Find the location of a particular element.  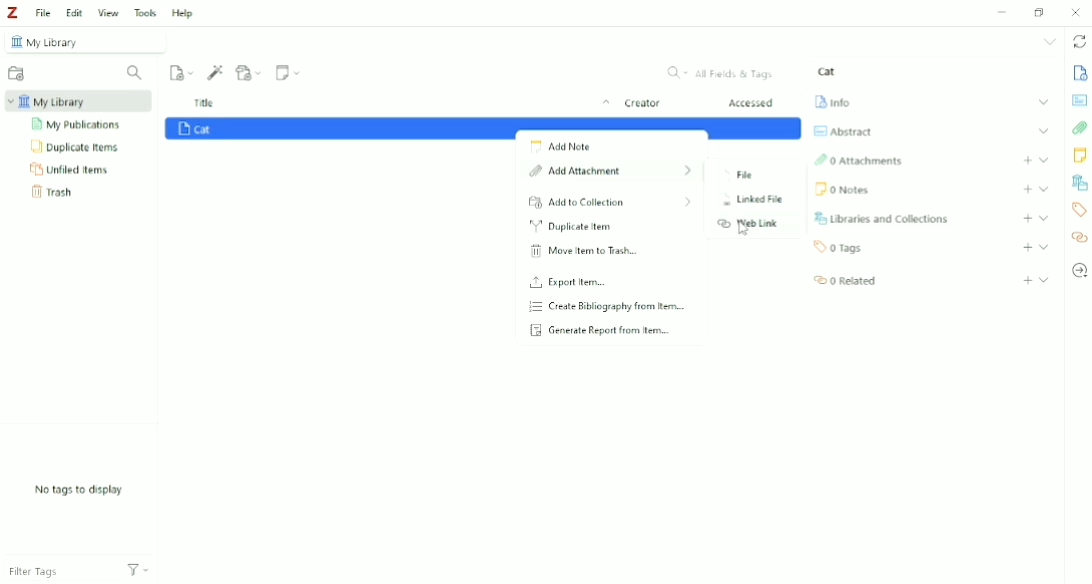

My Publications is located at coordinates (78, 125).